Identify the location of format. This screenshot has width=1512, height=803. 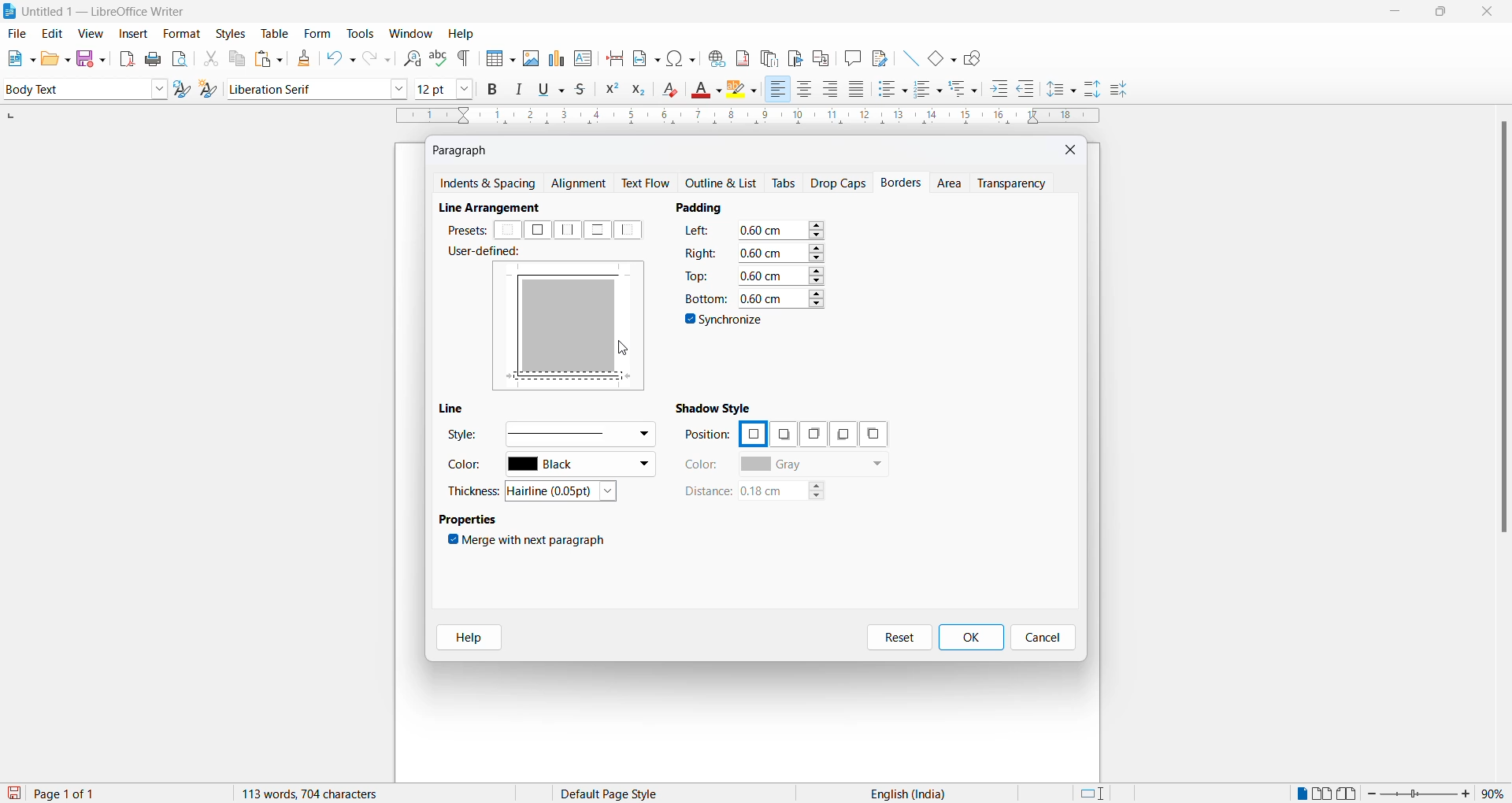
(178, 35).